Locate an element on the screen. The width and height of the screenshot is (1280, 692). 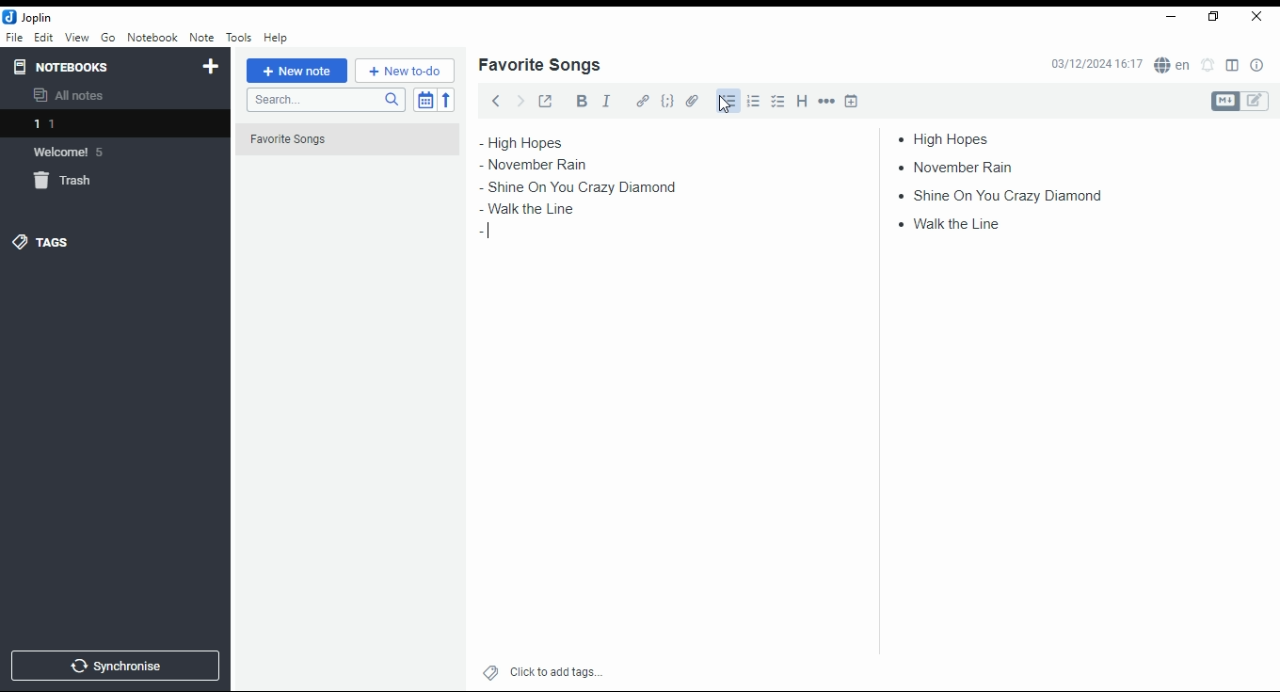
forward is located at coordinates (520, 99).